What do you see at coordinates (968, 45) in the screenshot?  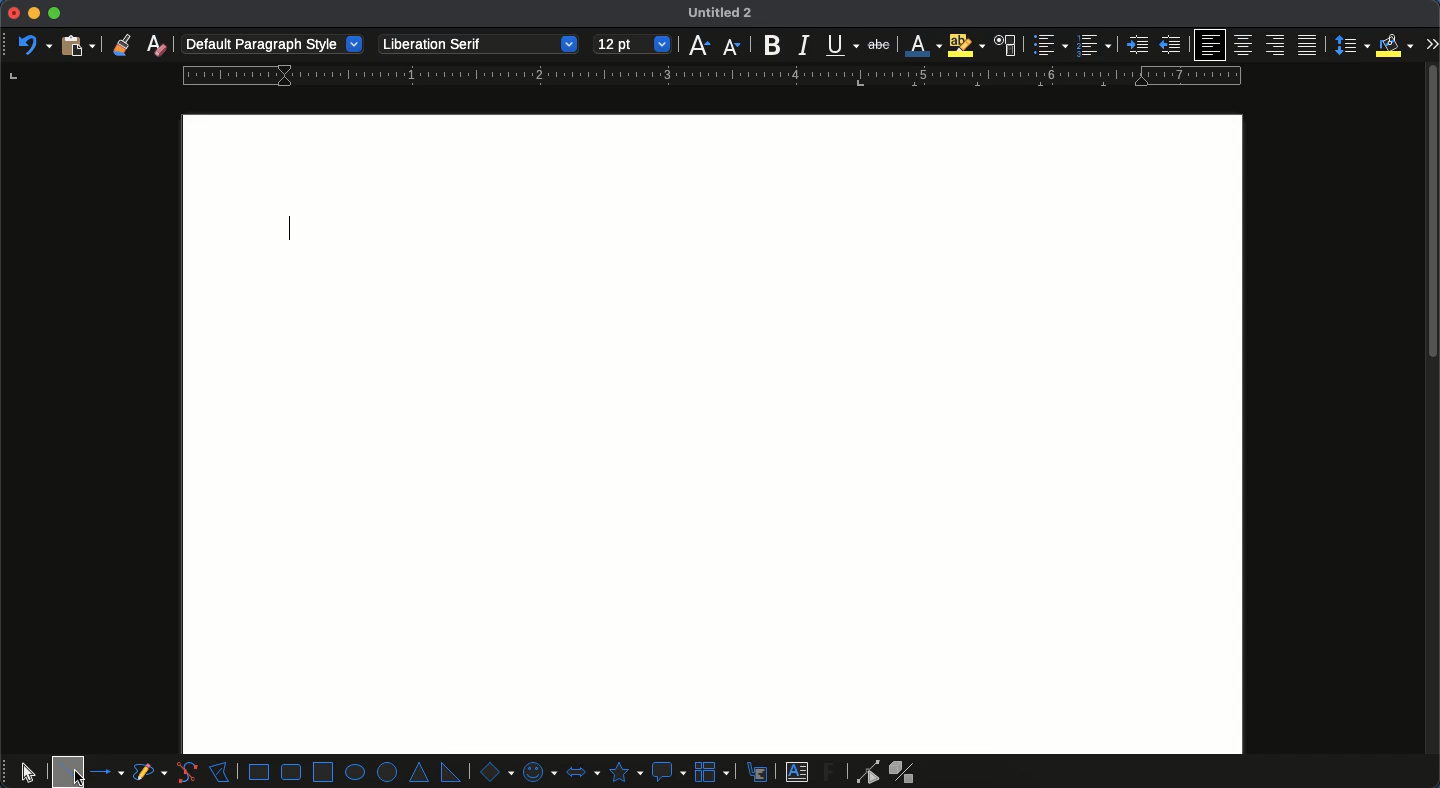 I see `highlight` at bounding box center [968, 45].